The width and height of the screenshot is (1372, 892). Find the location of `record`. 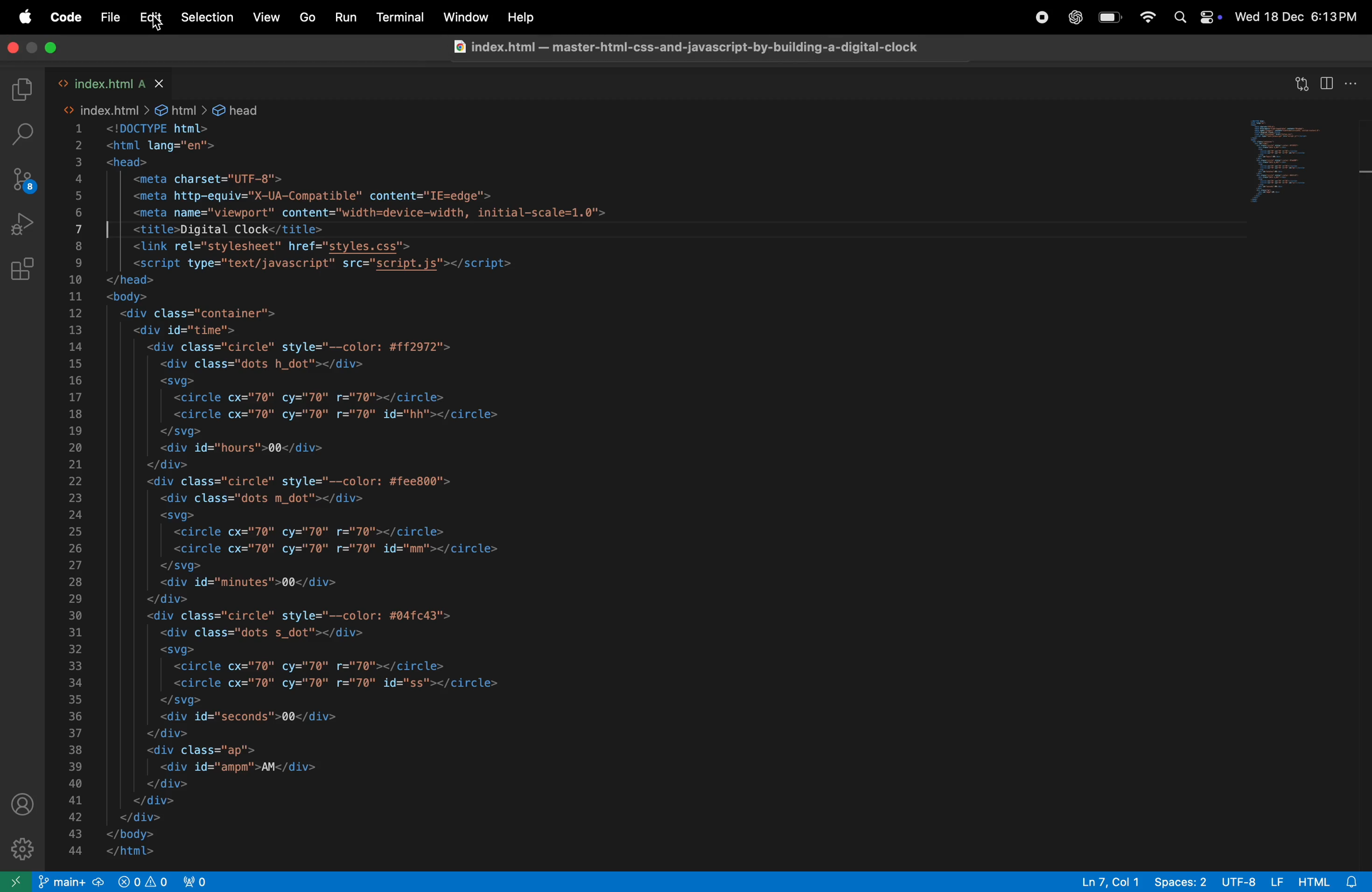

record is located at coordinates (1042, 20).